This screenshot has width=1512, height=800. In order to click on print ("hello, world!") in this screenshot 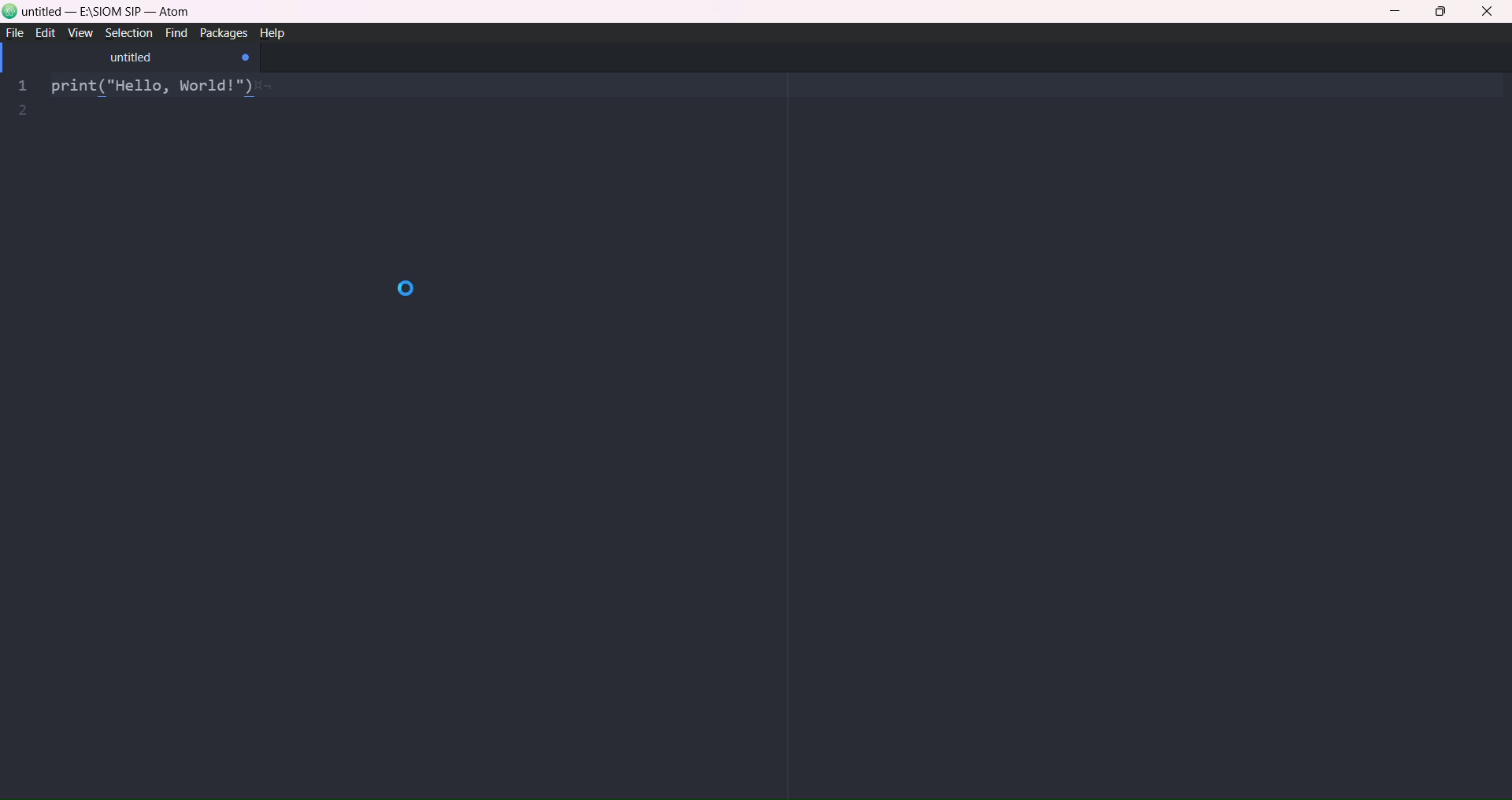, I will do `click(161, 87)`.